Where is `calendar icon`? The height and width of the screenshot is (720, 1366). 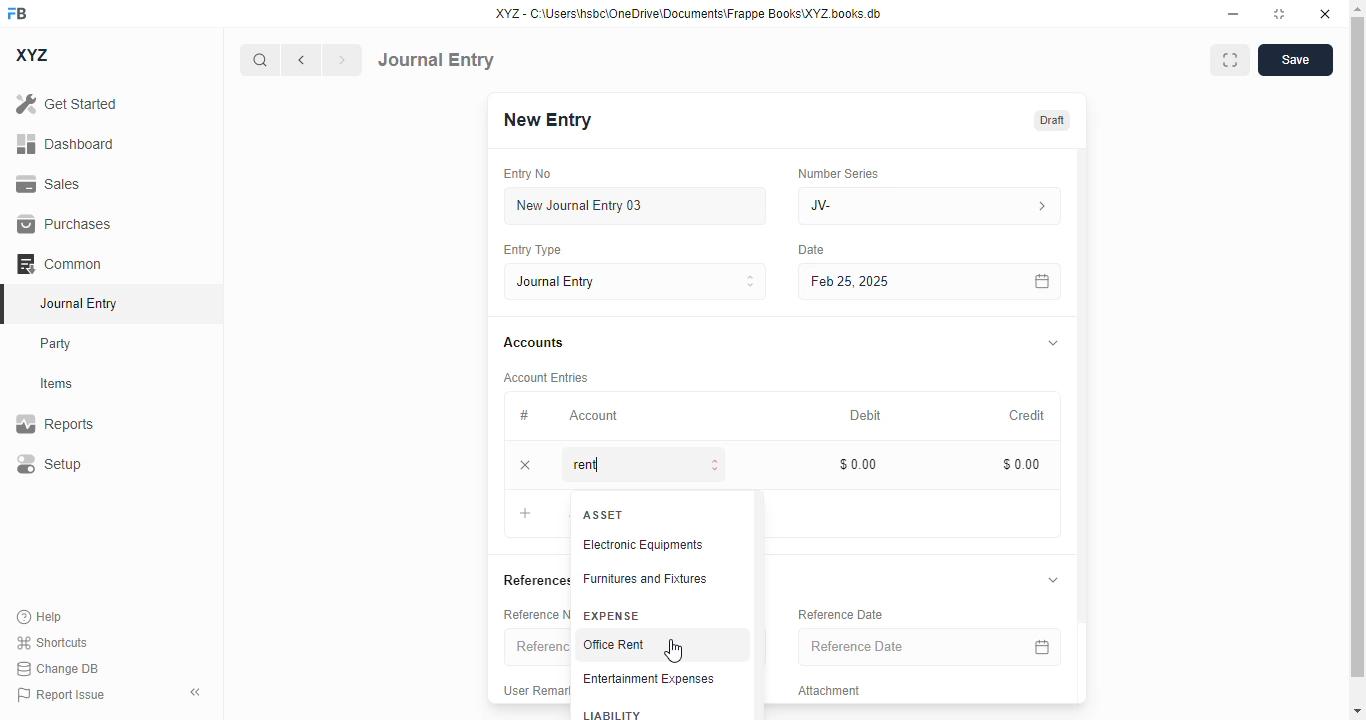 calendar icon is located at coordinates (1039, 645).